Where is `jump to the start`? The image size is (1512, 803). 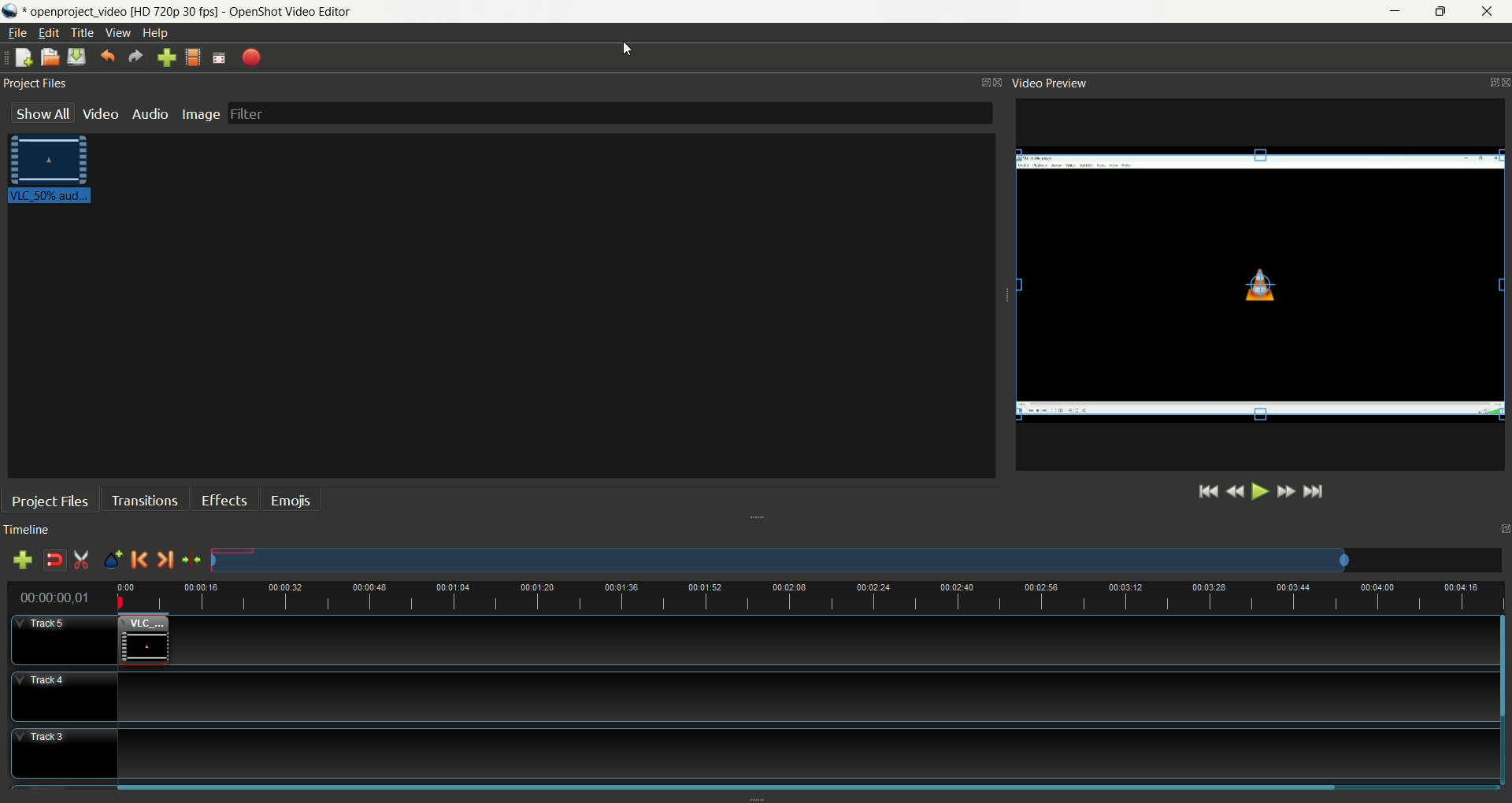 jump to the start is located at coordinates (1203, 493).